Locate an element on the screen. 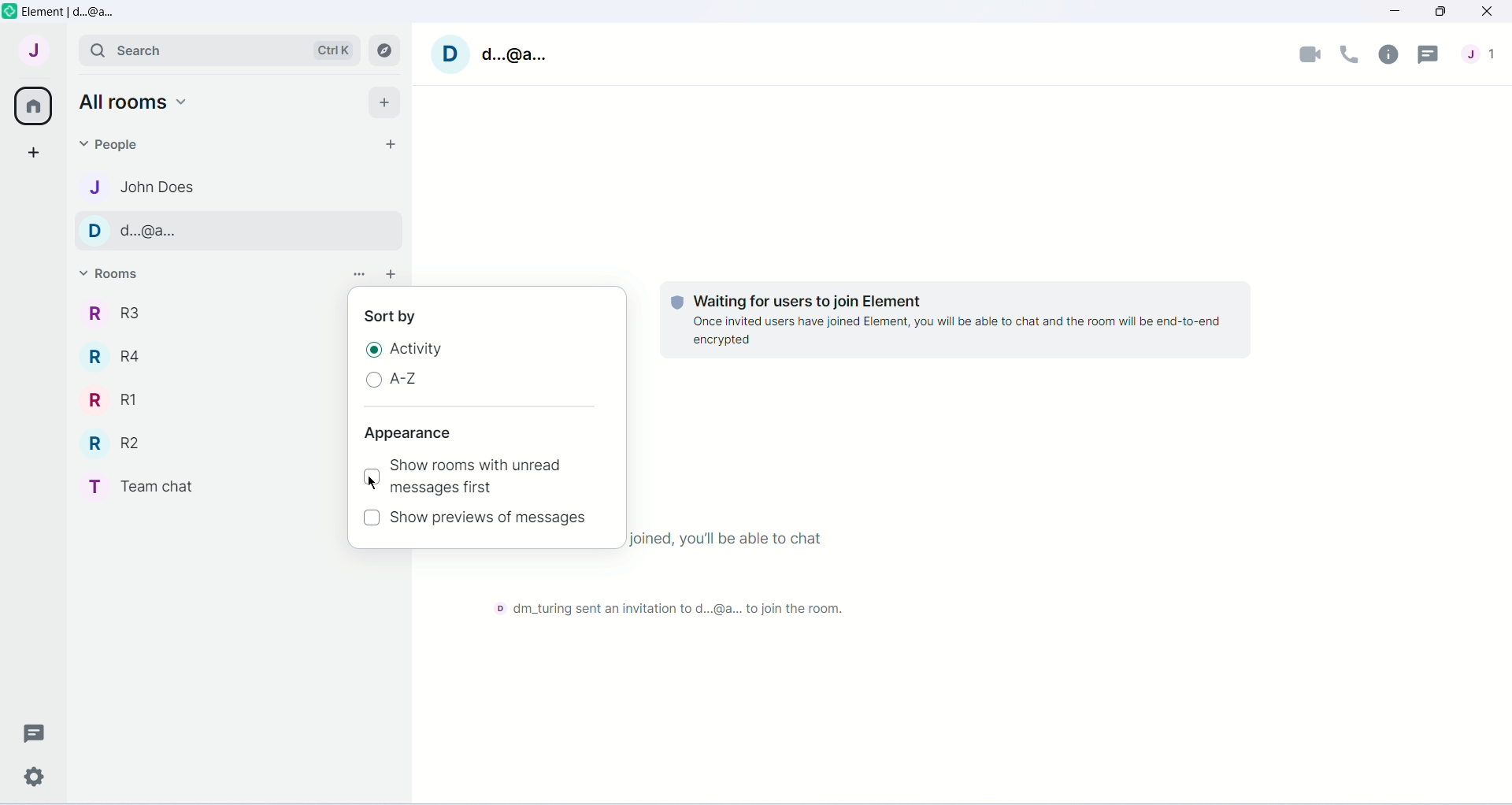 The image size is (1512, 805). Minimize is located at coordinates (1392, 14).